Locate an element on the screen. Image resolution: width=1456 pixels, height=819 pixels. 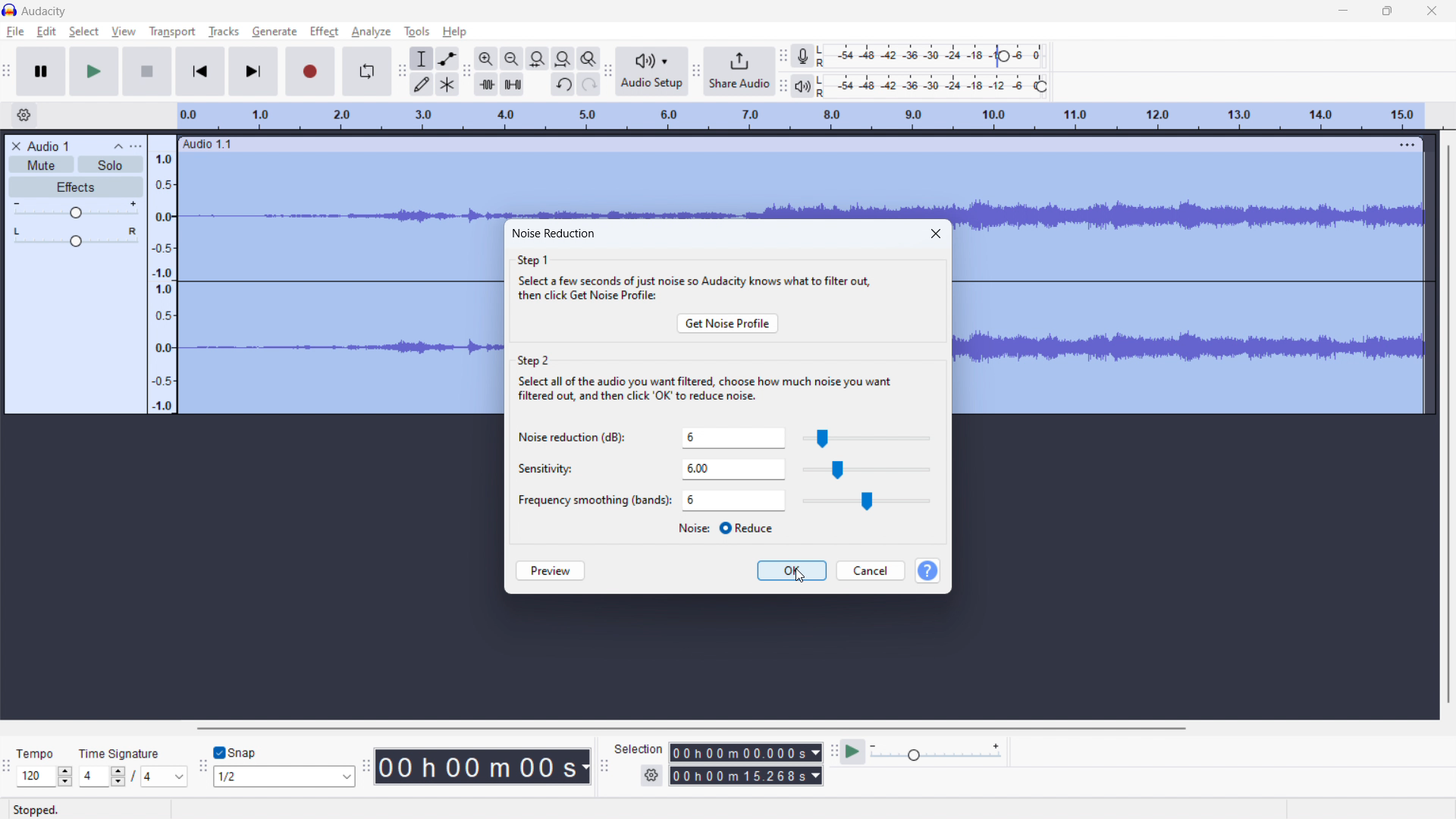
set tempo is located at coordinates (45, 766).